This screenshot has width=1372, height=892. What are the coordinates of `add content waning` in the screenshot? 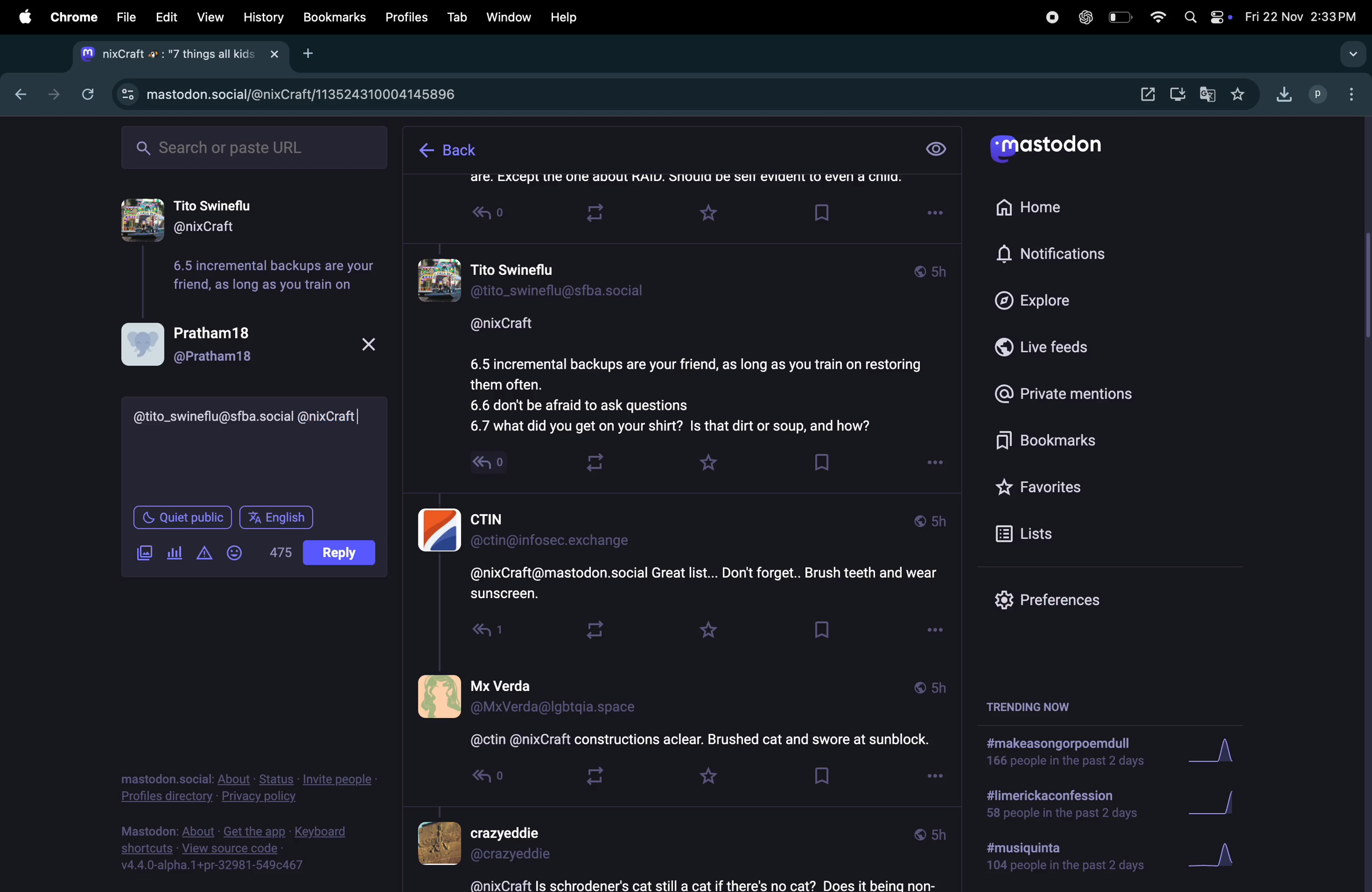 It's located at (209, 553).